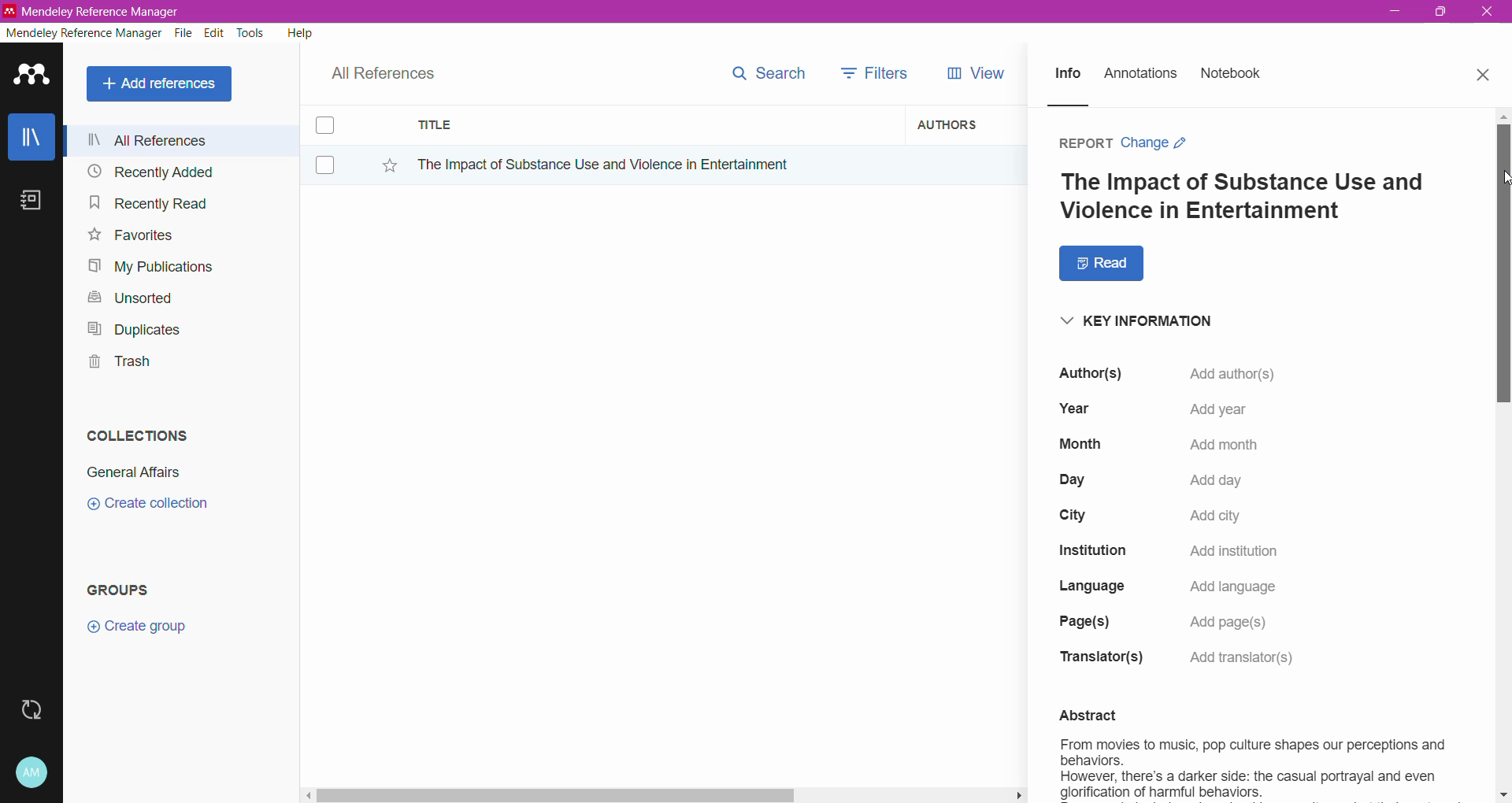 This screenshot has width=1512, height=803. I want to click on annotations, so click(1143, 75).